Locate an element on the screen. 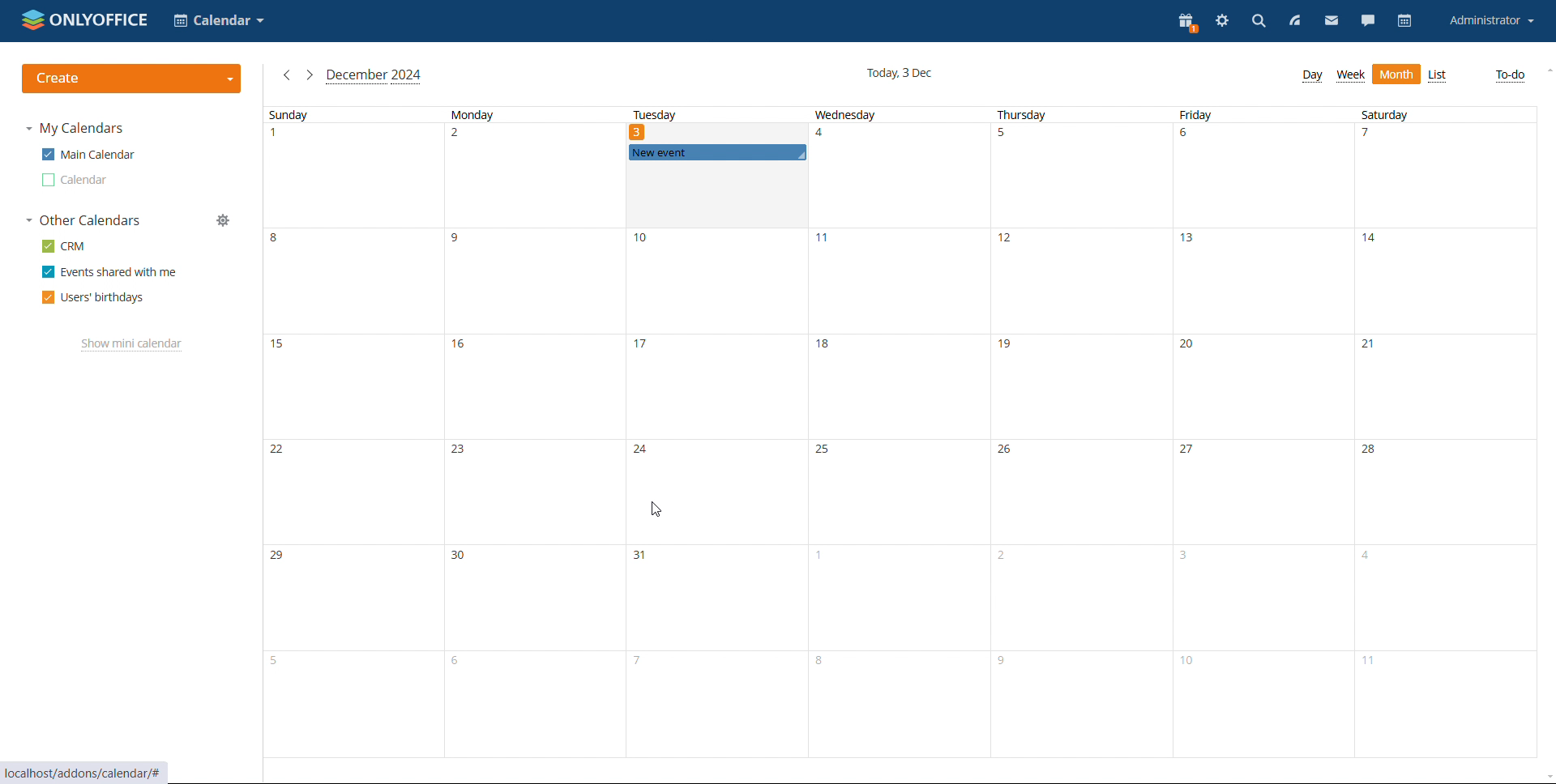  date is located at coordinates (532, 705).